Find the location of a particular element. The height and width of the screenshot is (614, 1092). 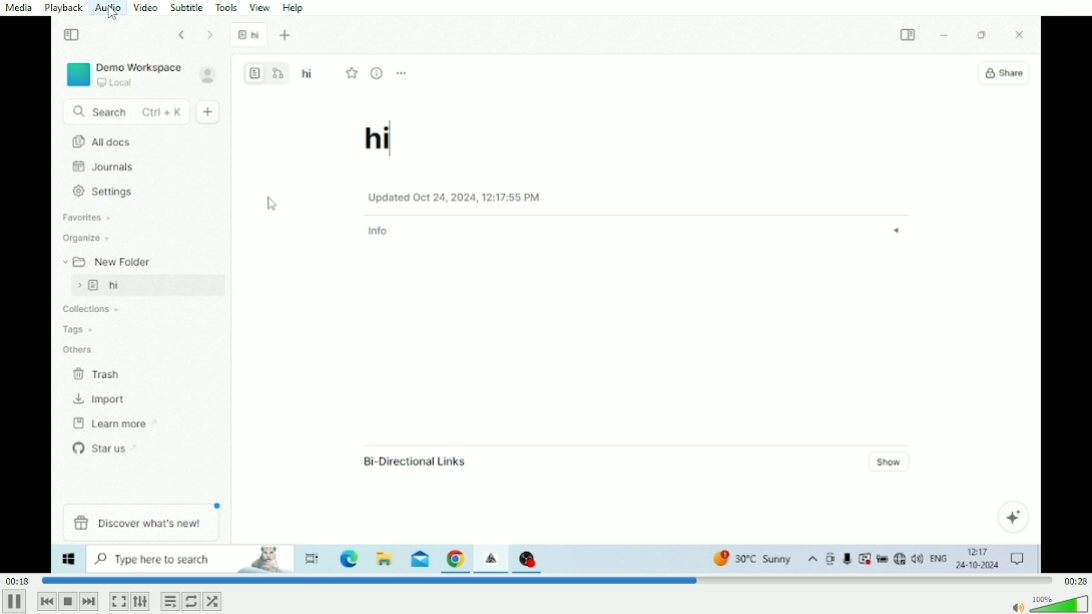

Stop playback is located at coordinates (67, 601).